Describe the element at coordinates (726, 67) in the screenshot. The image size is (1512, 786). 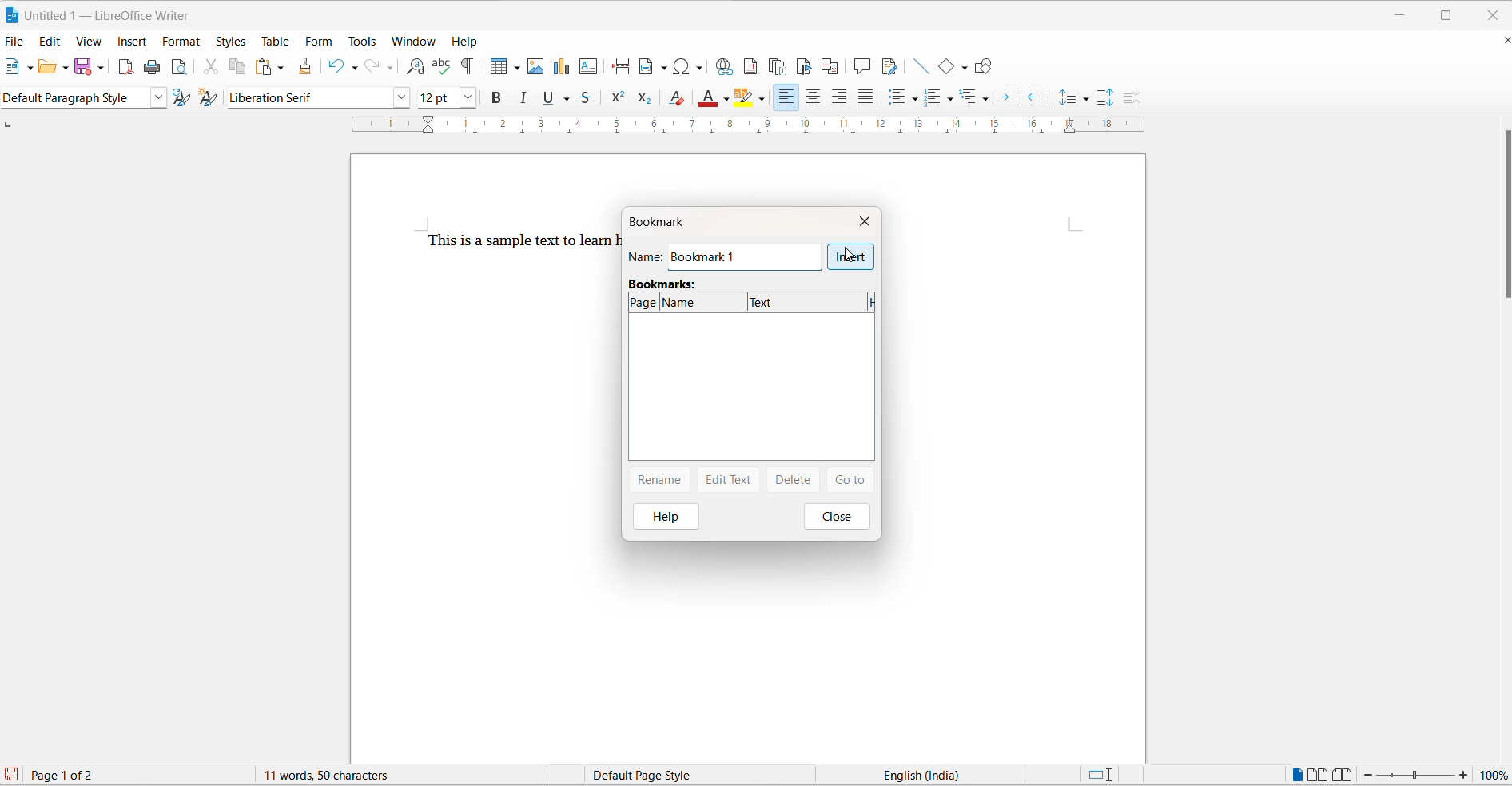
I see `insert hyperlink` at that location.